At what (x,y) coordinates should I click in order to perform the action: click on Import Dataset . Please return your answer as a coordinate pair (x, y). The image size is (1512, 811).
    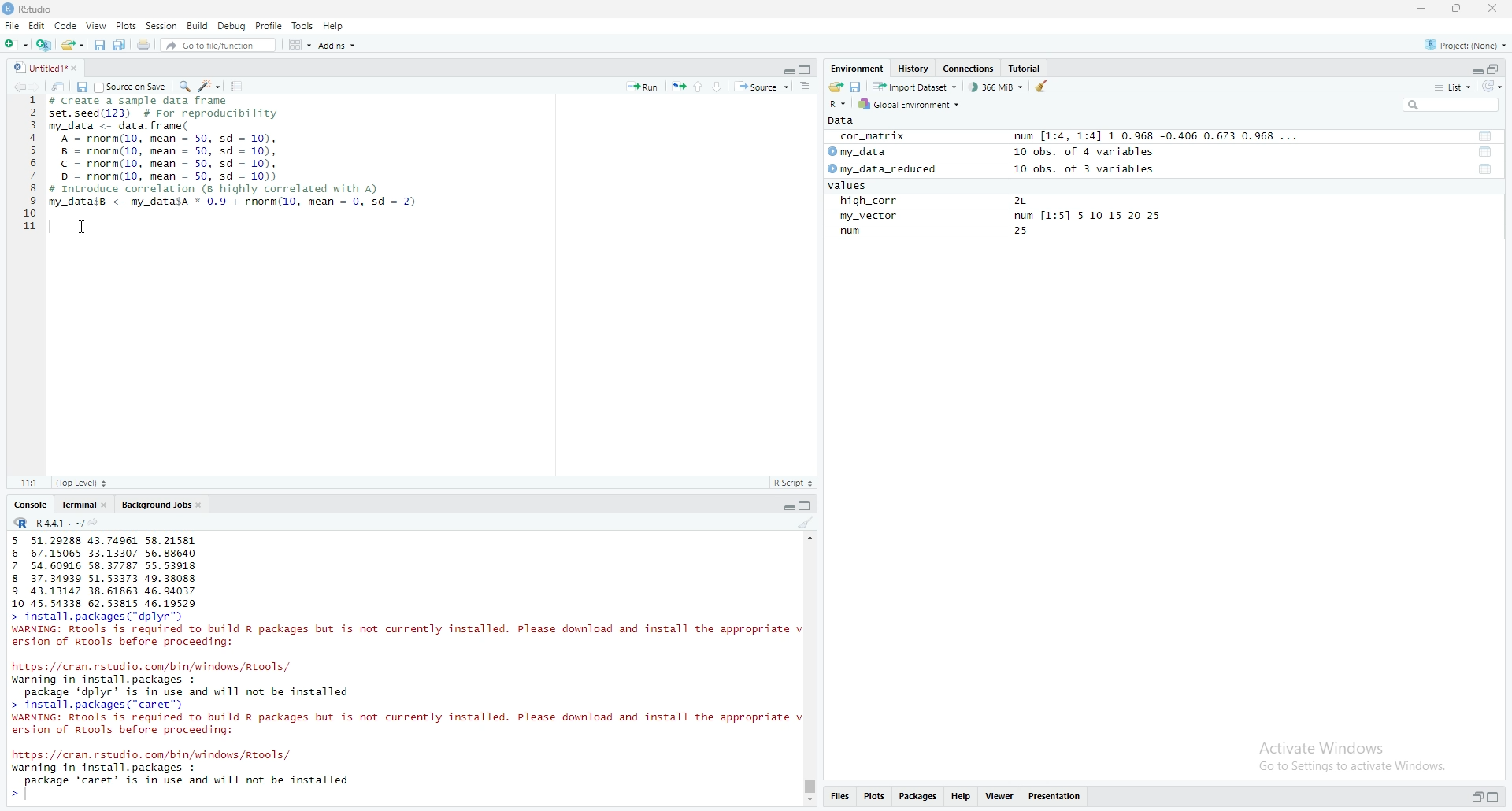
    Looking at the image, I should click on (915, 87).